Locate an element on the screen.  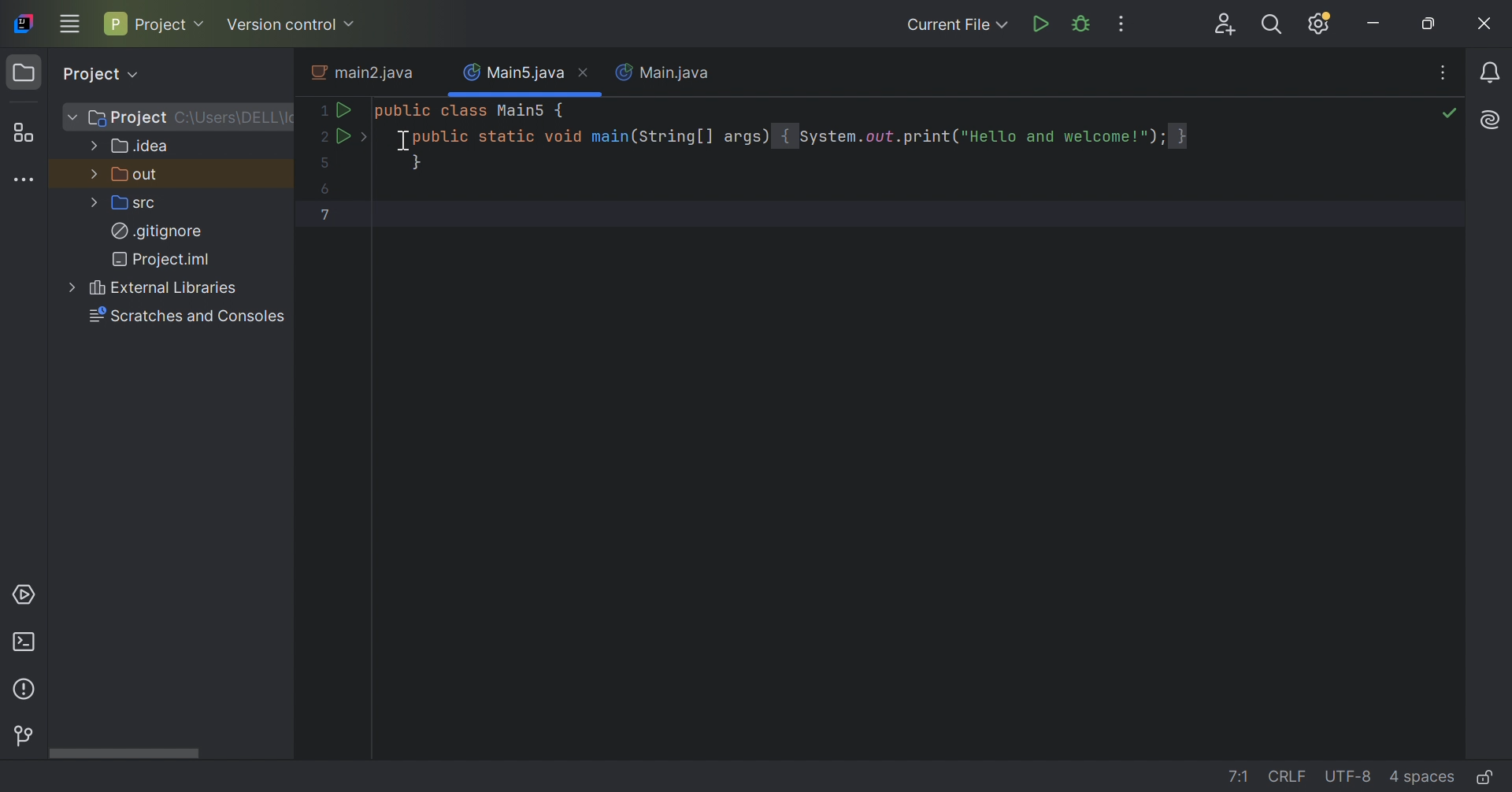
5 is located at coordinates (325, 164).